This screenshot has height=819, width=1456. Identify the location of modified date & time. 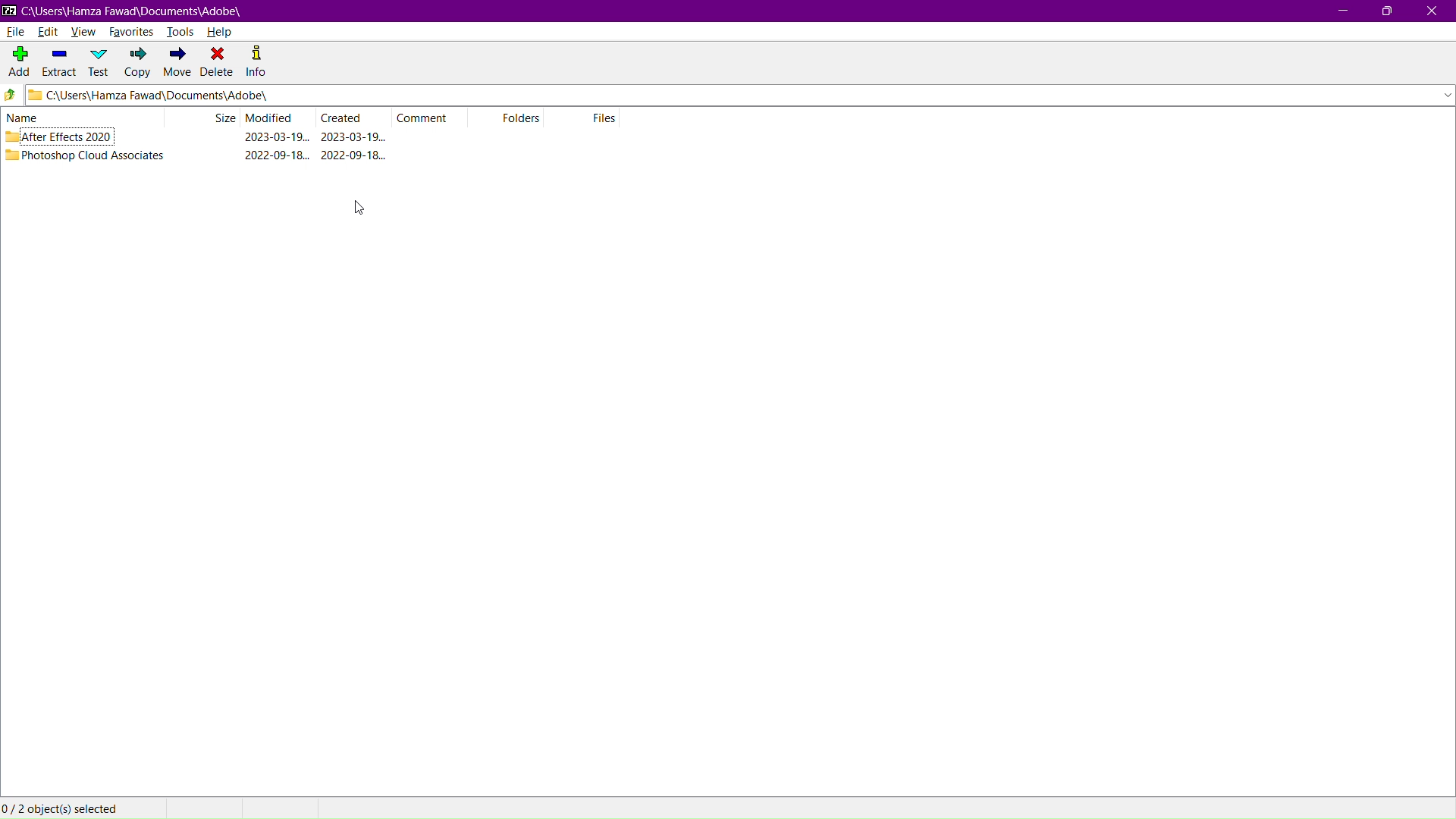
(278, 155).